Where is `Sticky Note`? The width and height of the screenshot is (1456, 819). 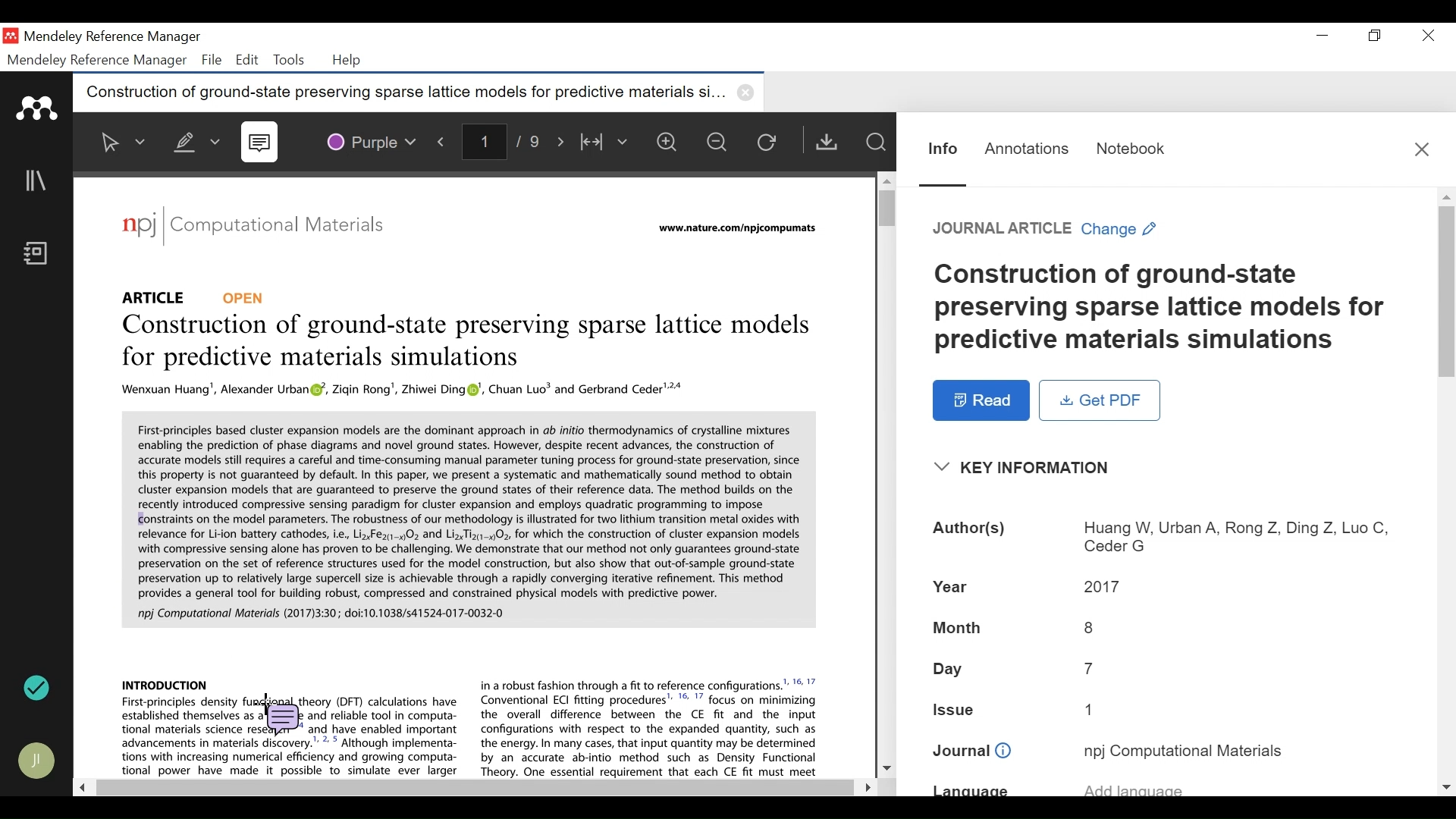
Sticky Note is located at coordinates (262, 143).